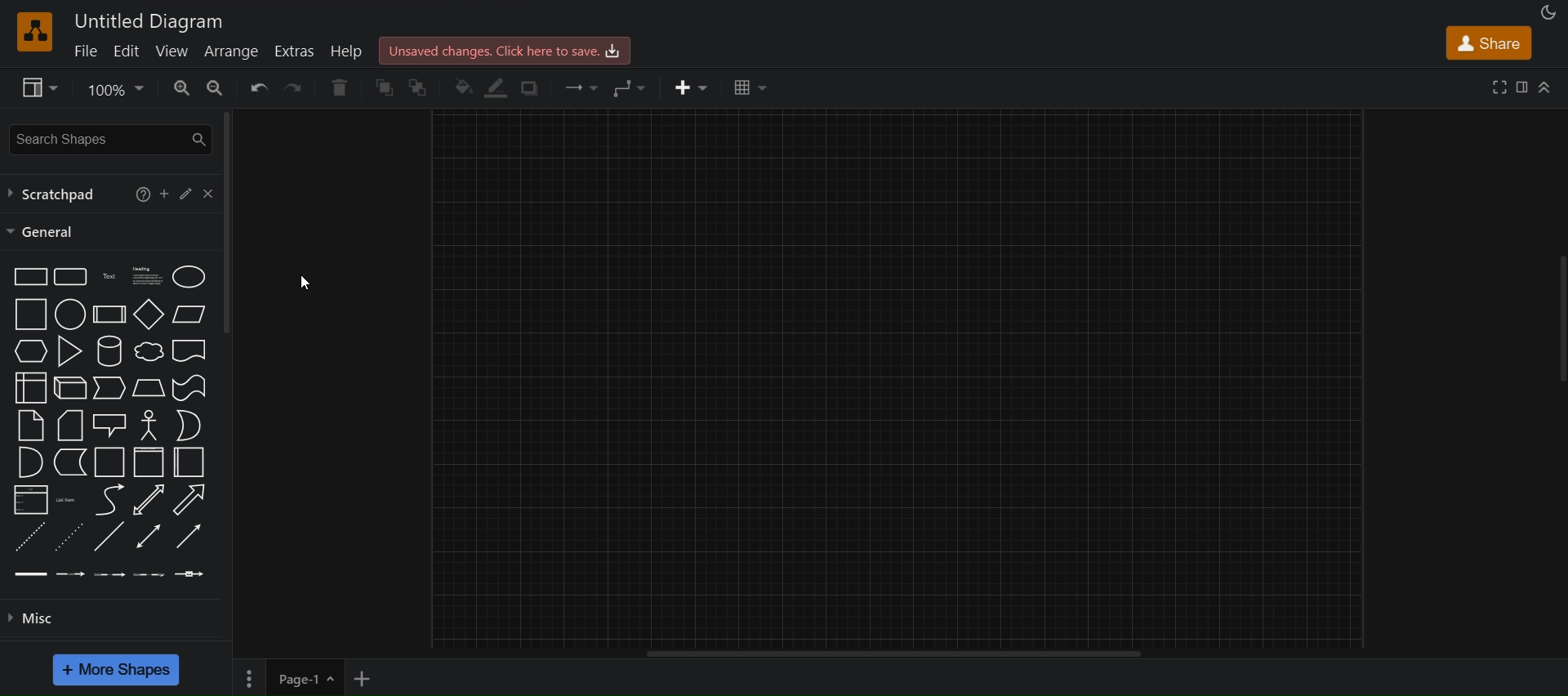  What do you see at coordinates (580, 87) in the screenshot?
I see `connection` at bounding box center [580, 87].